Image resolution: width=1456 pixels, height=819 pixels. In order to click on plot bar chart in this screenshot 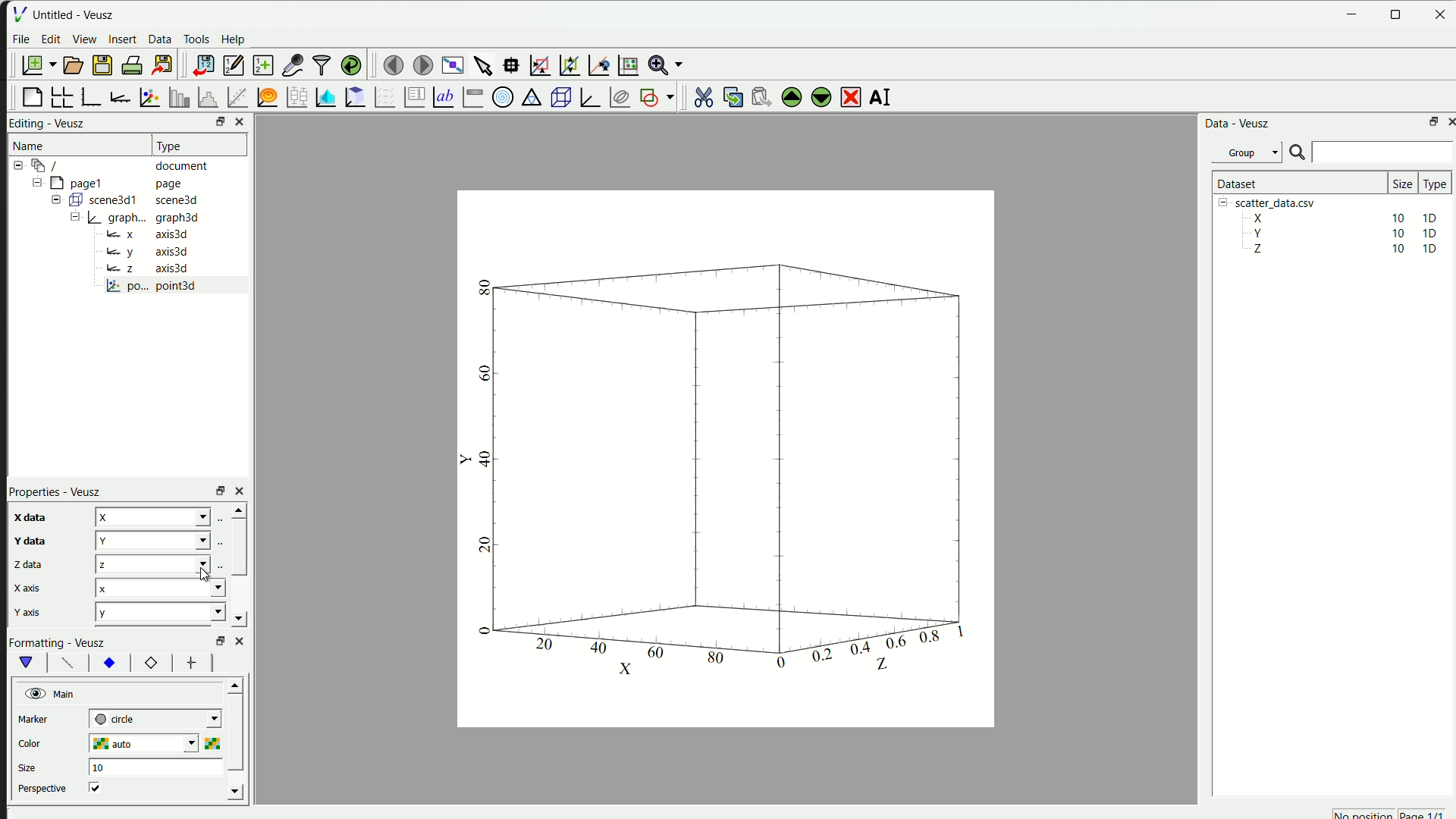, I will do `click(174, 97)`.